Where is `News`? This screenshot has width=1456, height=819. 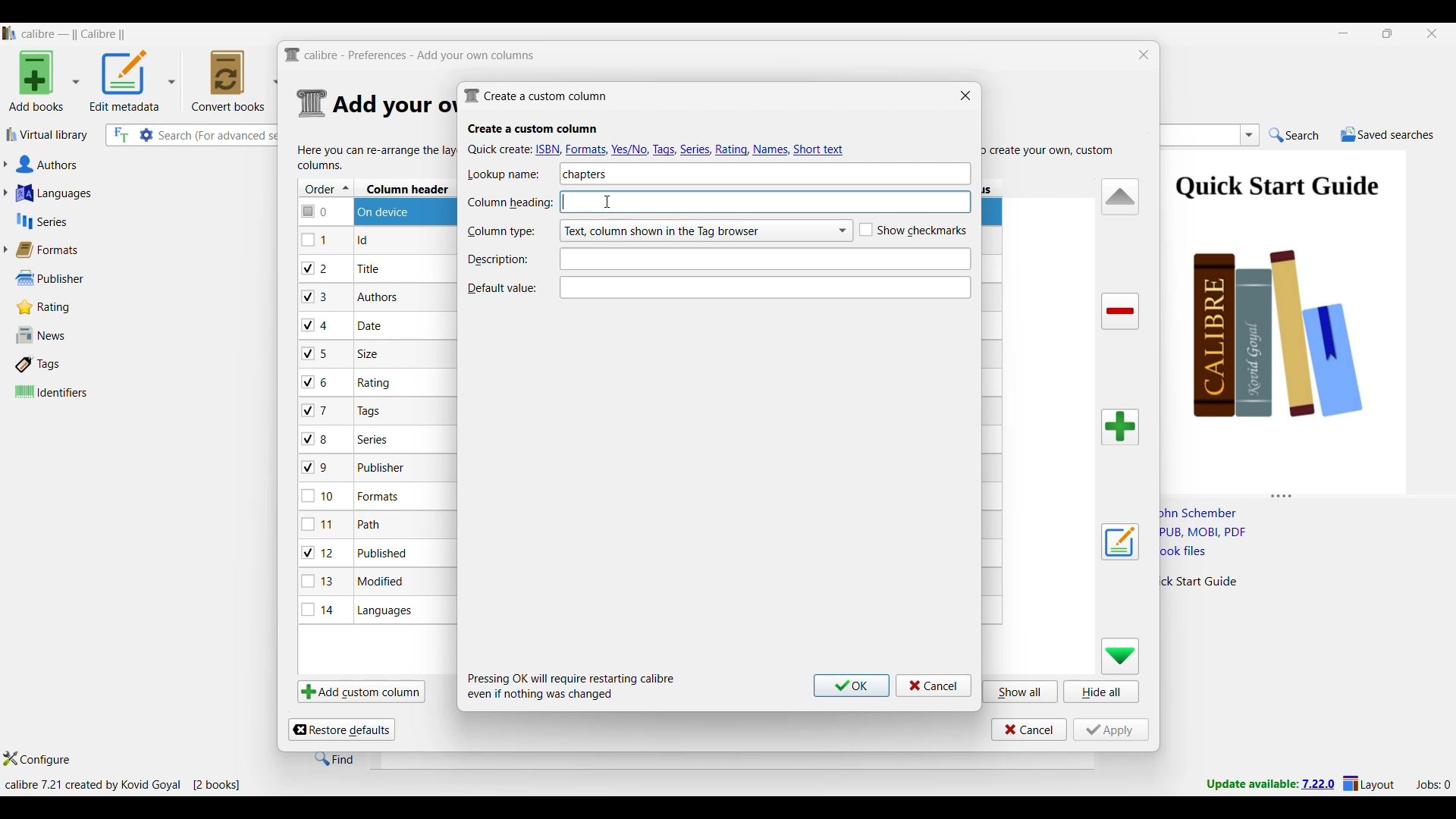 News is located at coordinates (71, 335).